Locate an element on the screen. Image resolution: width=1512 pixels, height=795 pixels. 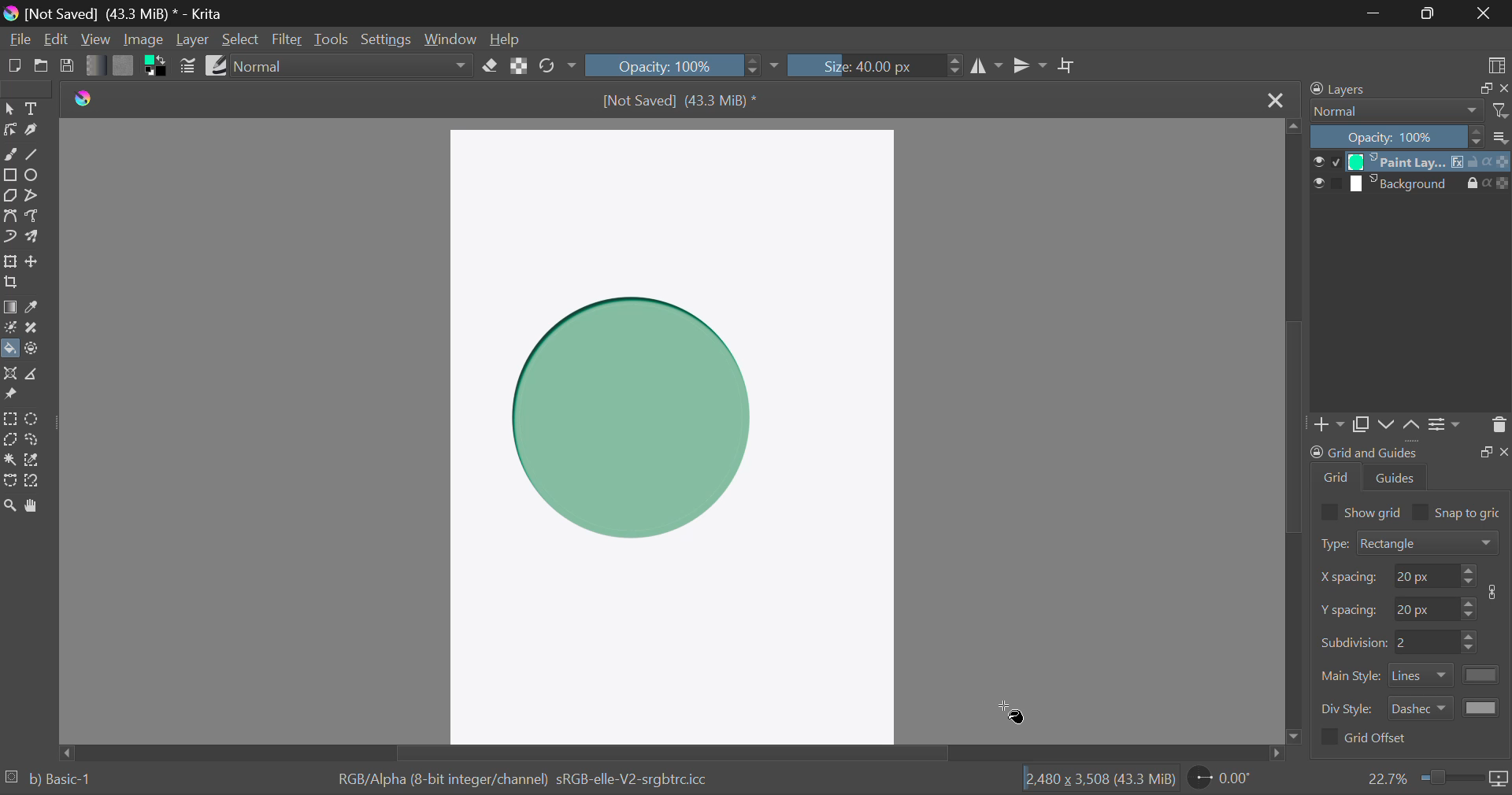
Assistant Tool is located at coordinates (10, 374).